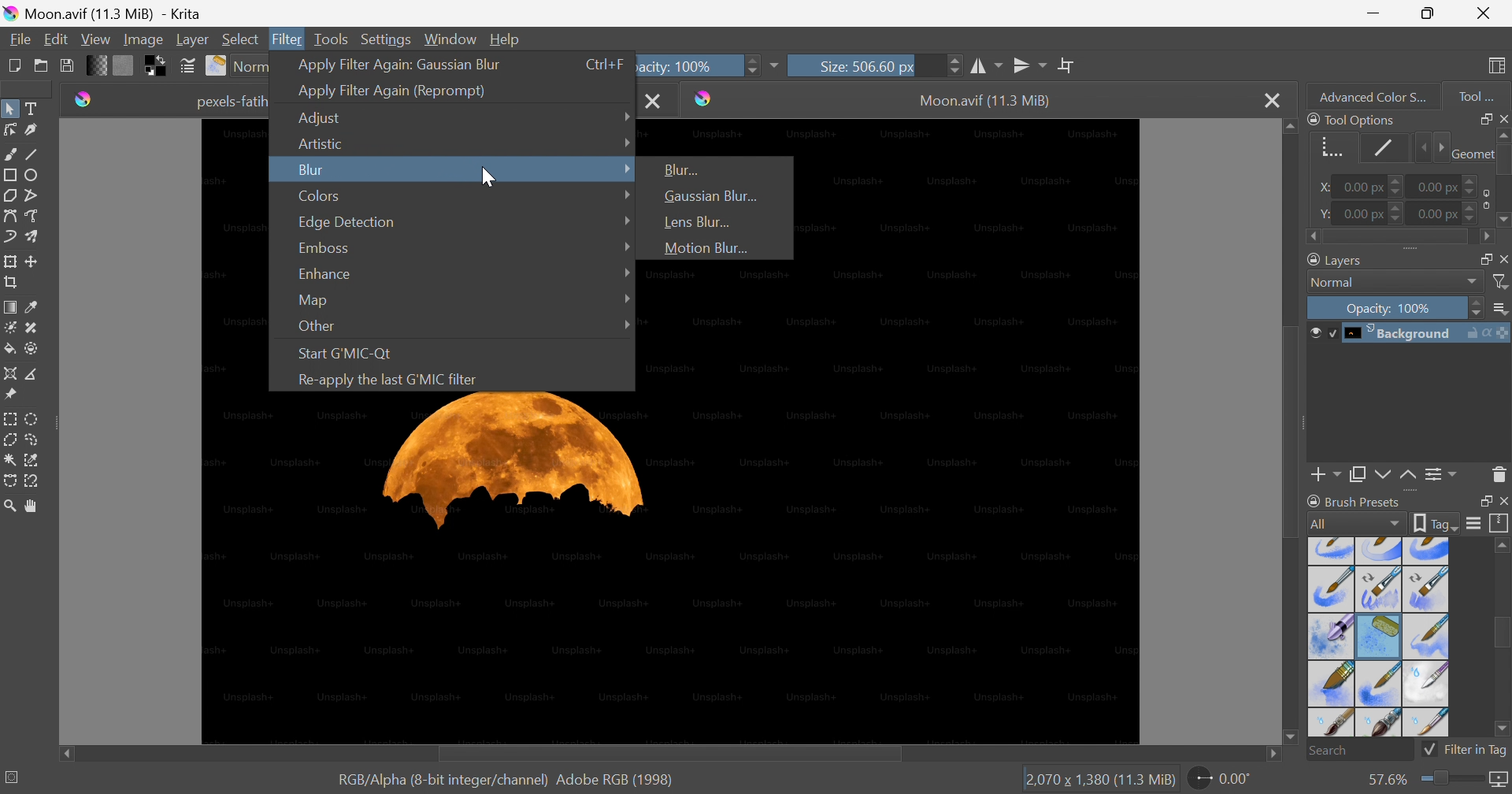 This screenshot has width=1512, height=794. What do you see at coordinates (1323, 213) in the screenshot?
I see `y:` at bounding box center [1323, 213].